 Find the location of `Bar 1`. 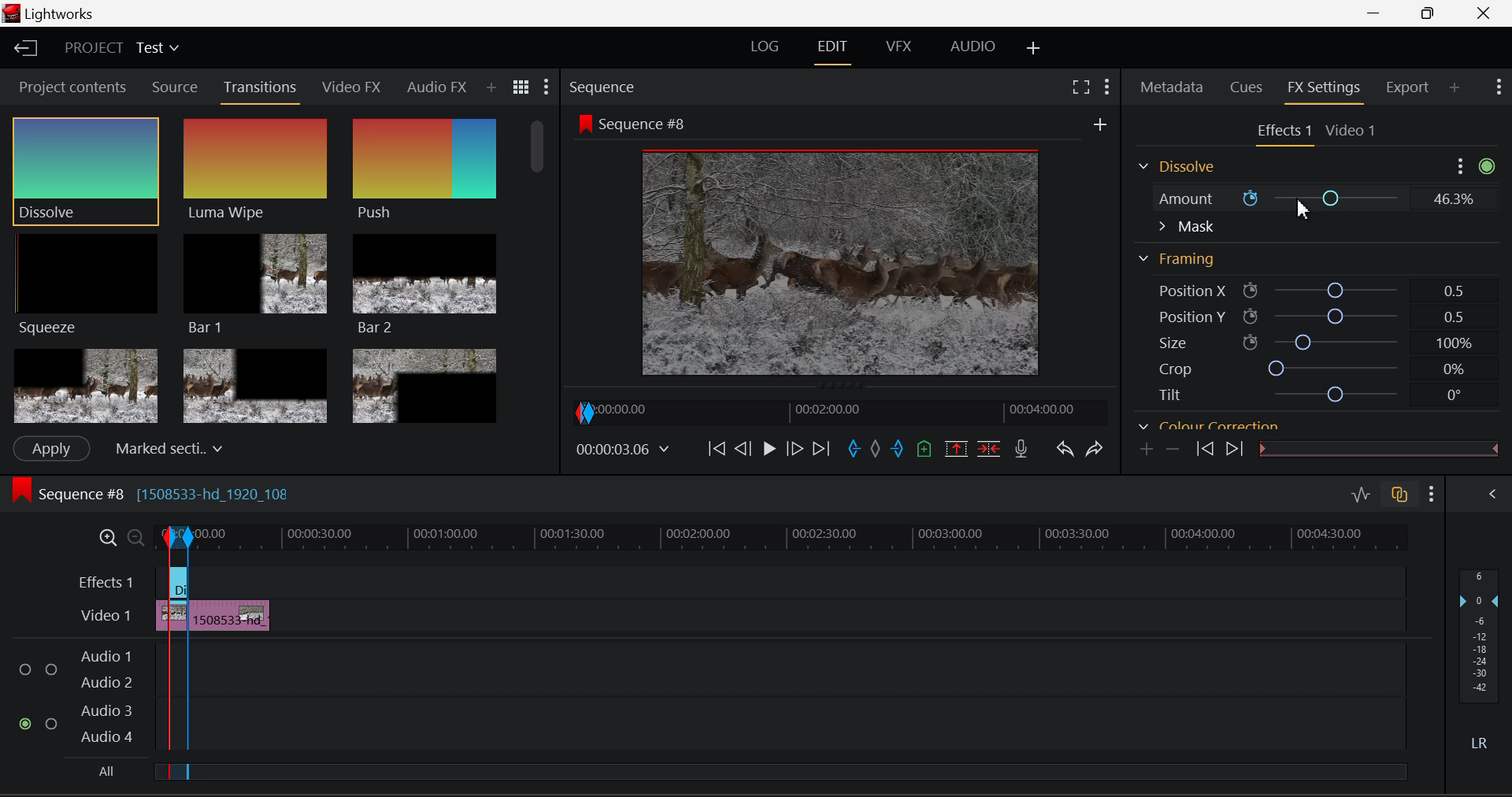

Bar 1 is located at coordinates (256, 283).